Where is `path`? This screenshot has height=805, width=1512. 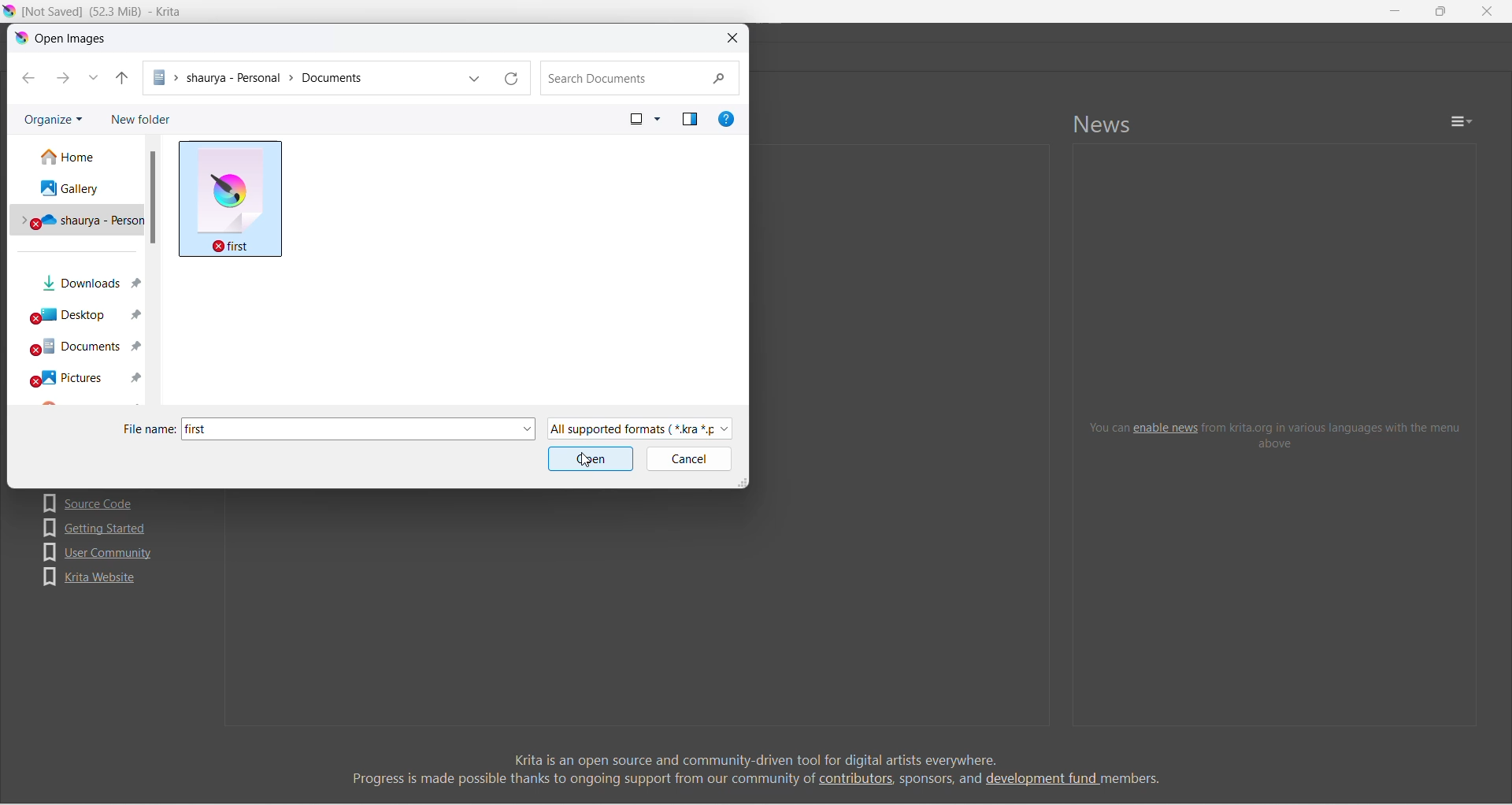 path is located at coordinates (302, 78).